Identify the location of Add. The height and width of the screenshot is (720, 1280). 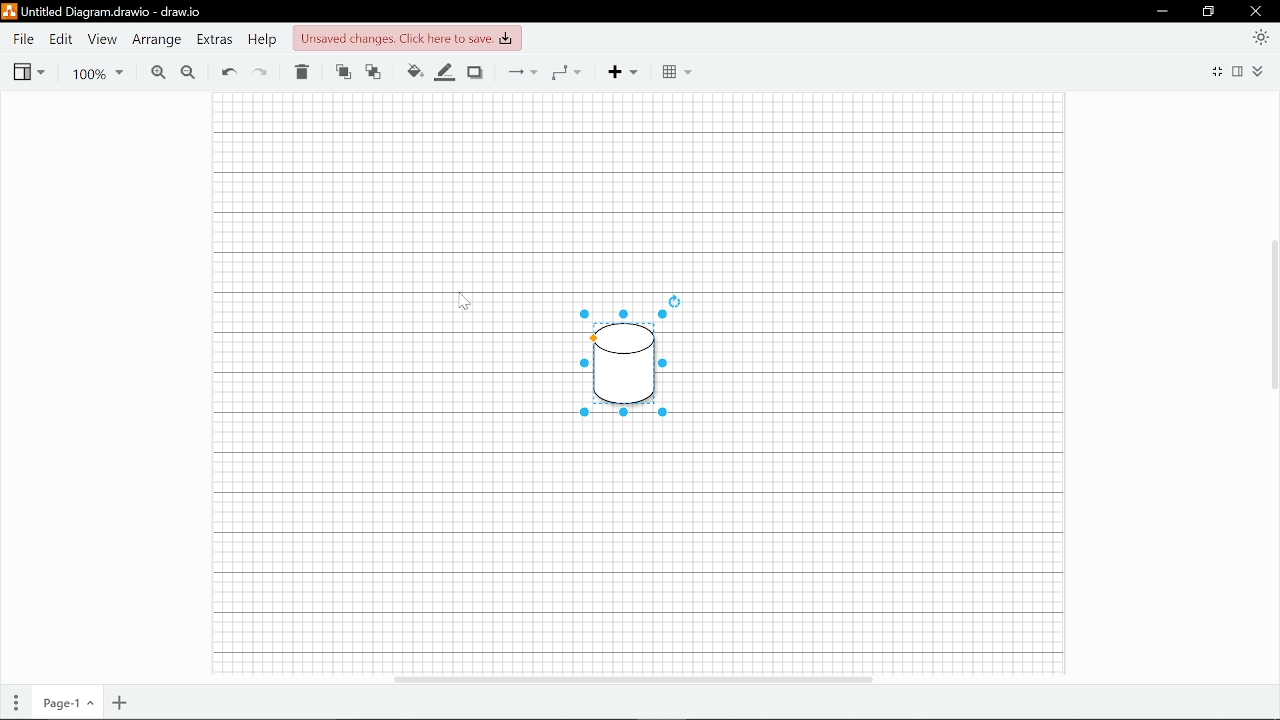
(623, 72).